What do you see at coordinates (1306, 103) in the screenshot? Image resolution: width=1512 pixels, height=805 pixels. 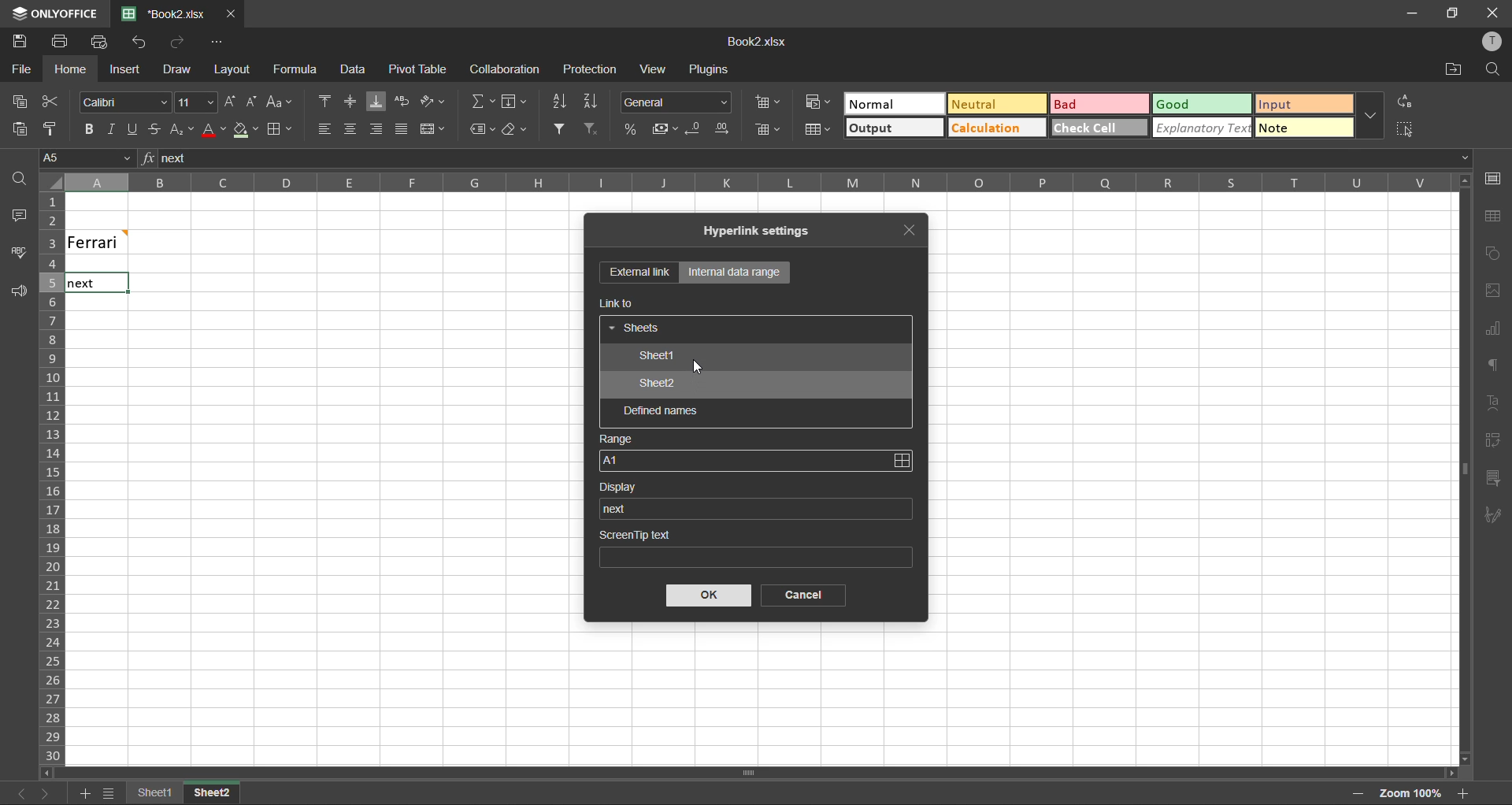 I see `input` at bounding box center [1306, 103].